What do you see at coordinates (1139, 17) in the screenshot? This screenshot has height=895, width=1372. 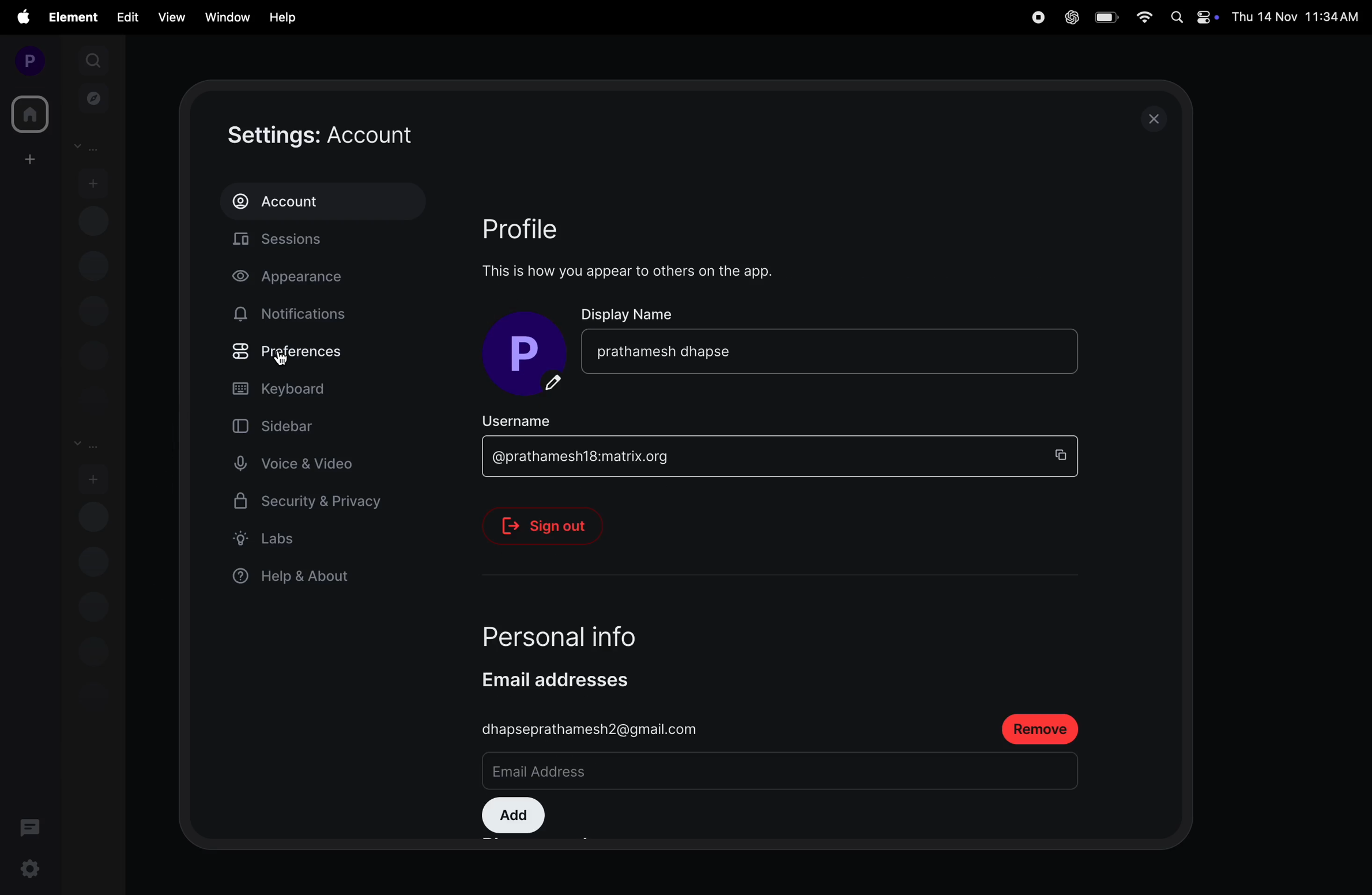 I see `wifi` at bounding box center [1139, 17].